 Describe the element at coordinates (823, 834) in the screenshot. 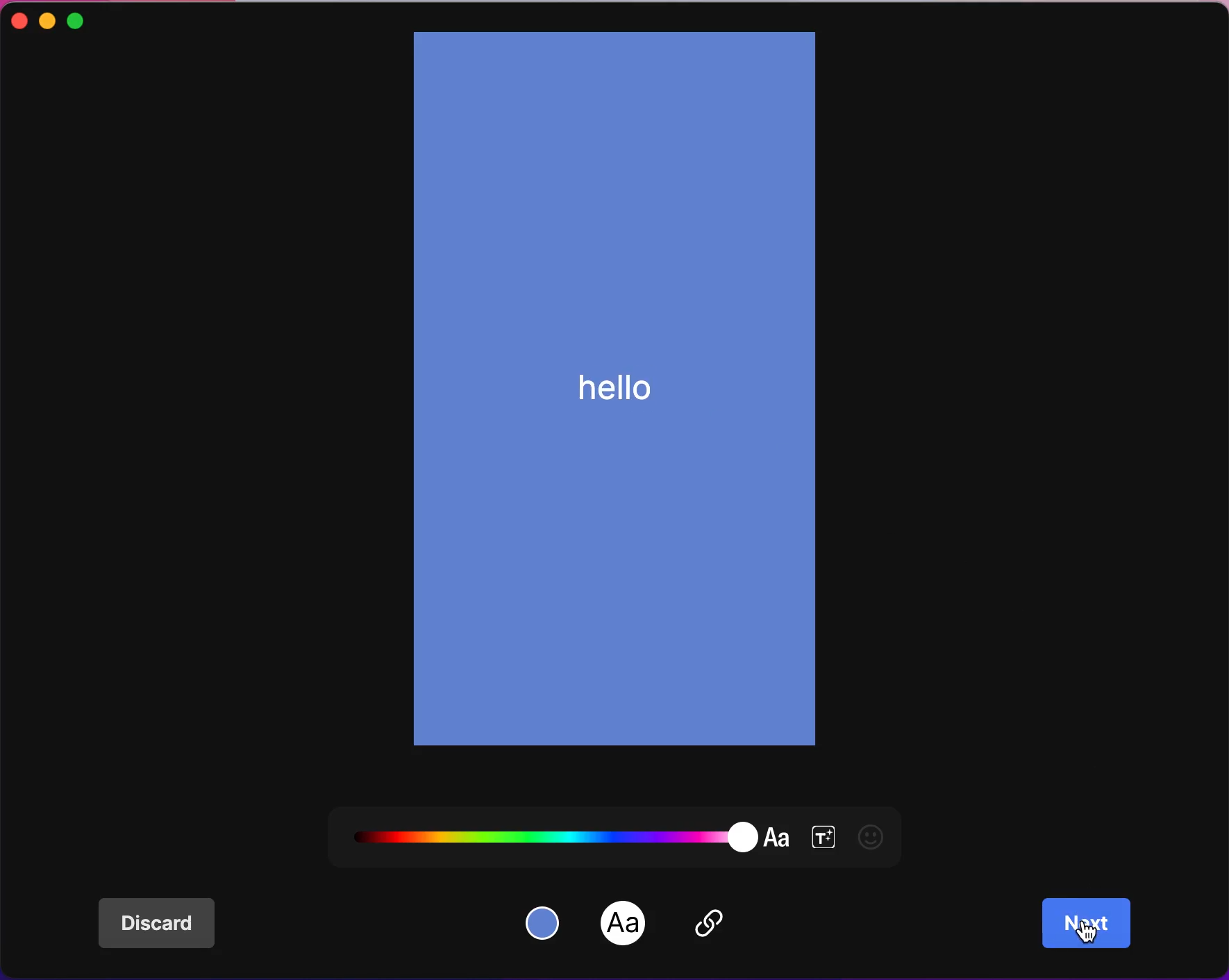

I see `font size` at that location.